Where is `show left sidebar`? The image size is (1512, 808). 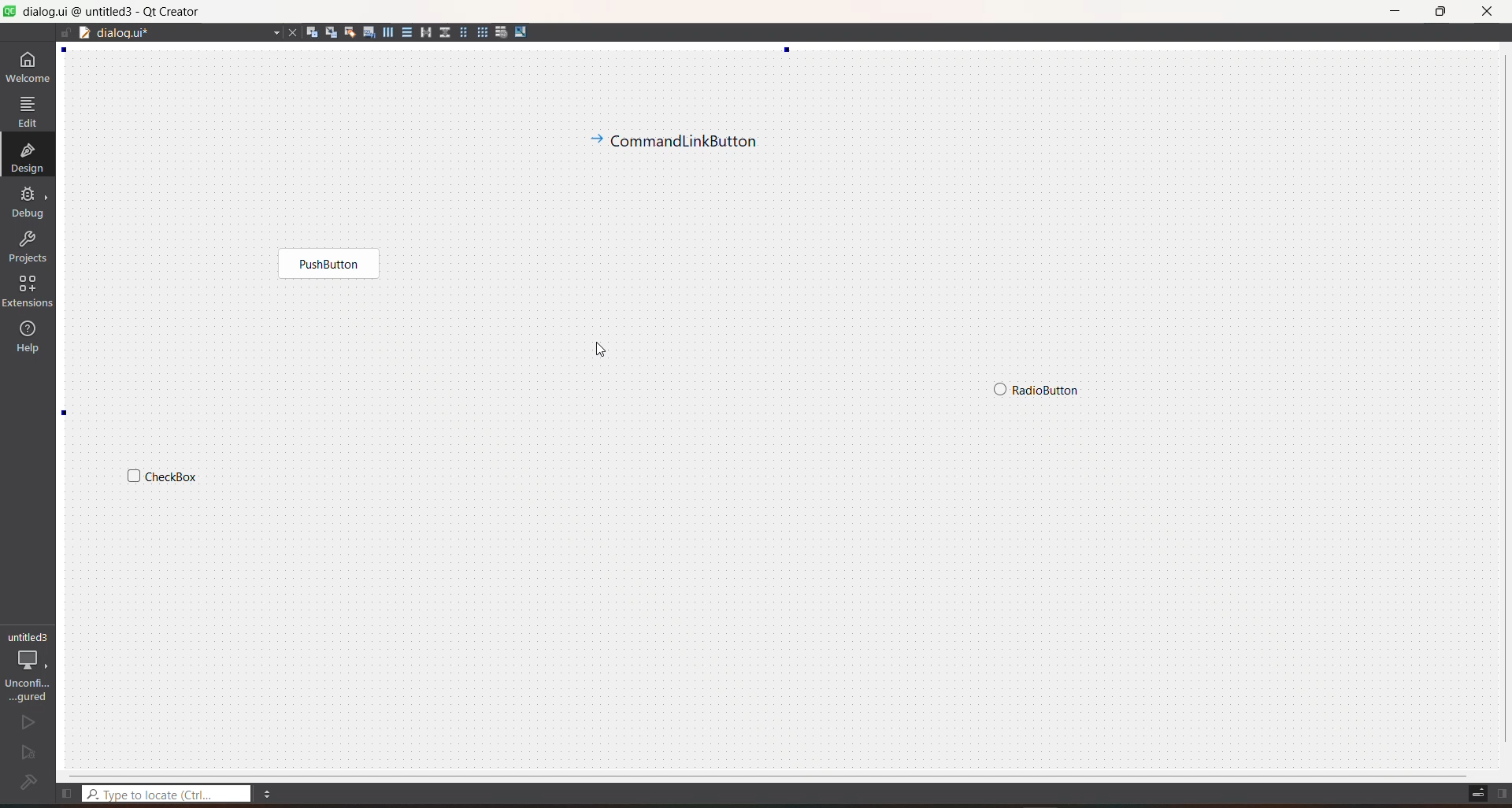
show left sidebar is located at coordinates (69, 794).